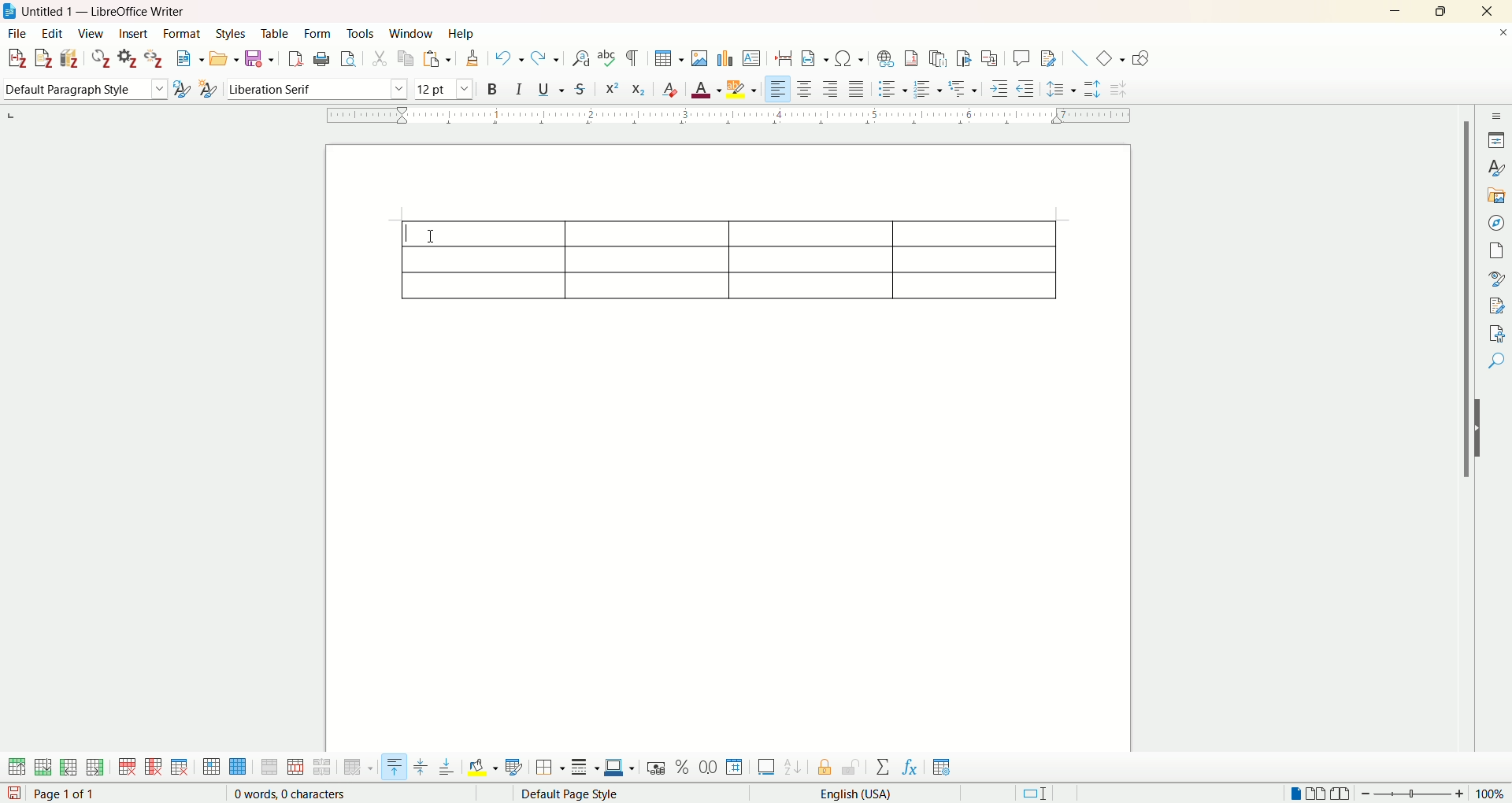  Describe the element at coordinates (1117, 90) in the screenshot. I see `decrease paragraph spacing` at that location.